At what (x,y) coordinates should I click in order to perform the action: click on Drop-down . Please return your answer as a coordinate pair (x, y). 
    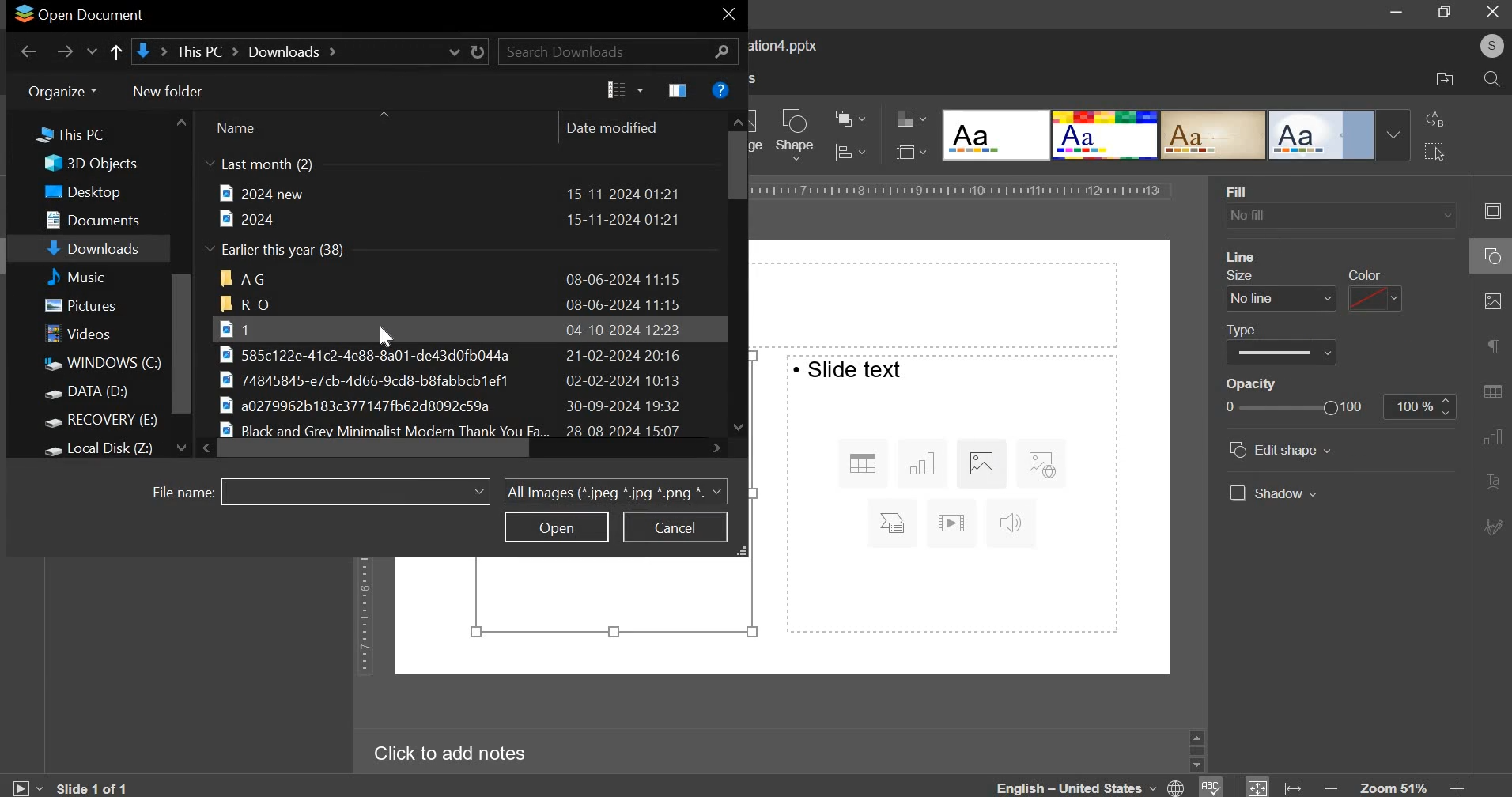
    Looking at the image, I should click on (1393, 135).